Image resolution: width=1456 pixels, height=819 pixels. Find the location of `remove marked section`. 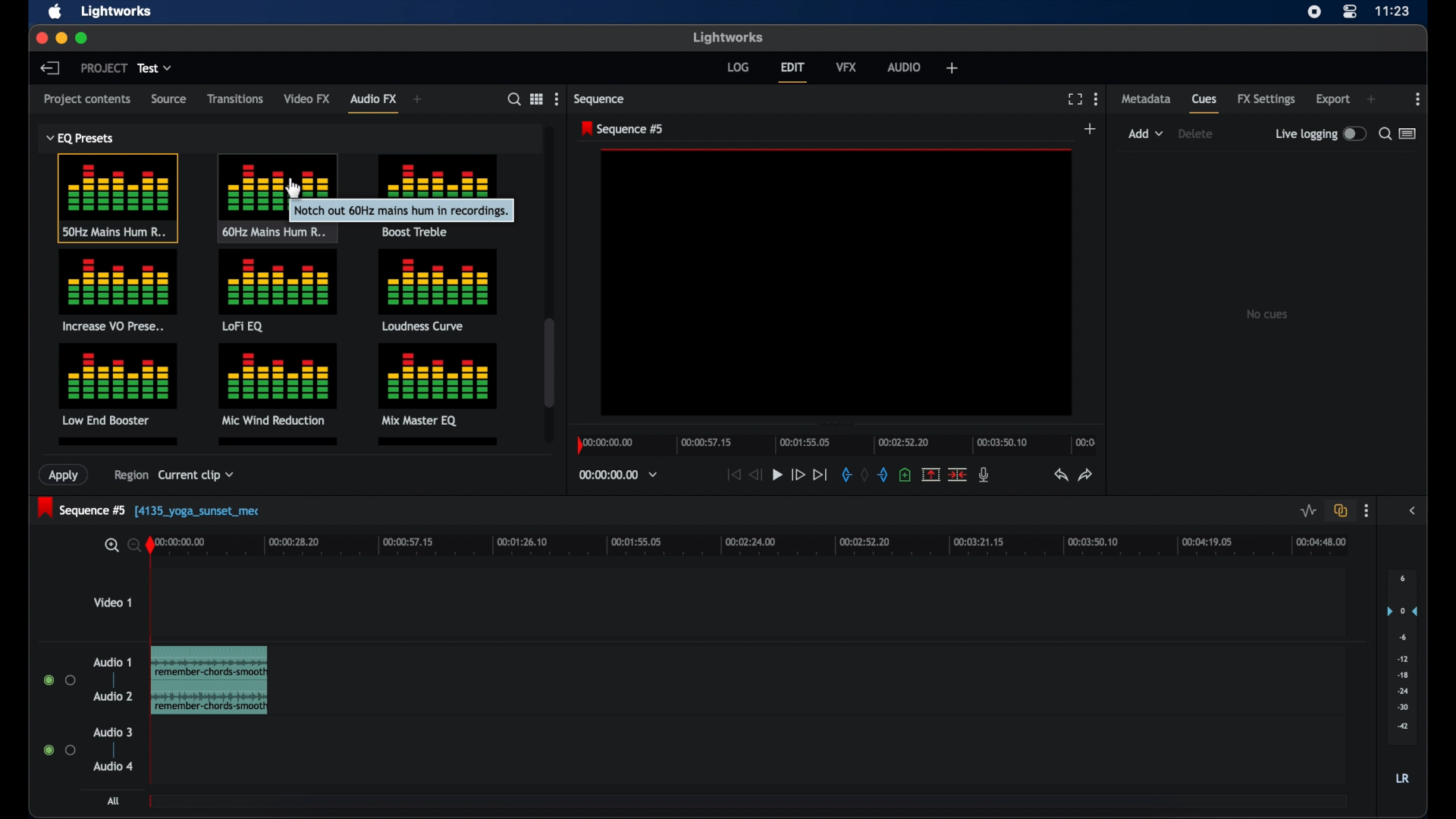

remove marked section is located at coordinates (930, 474).